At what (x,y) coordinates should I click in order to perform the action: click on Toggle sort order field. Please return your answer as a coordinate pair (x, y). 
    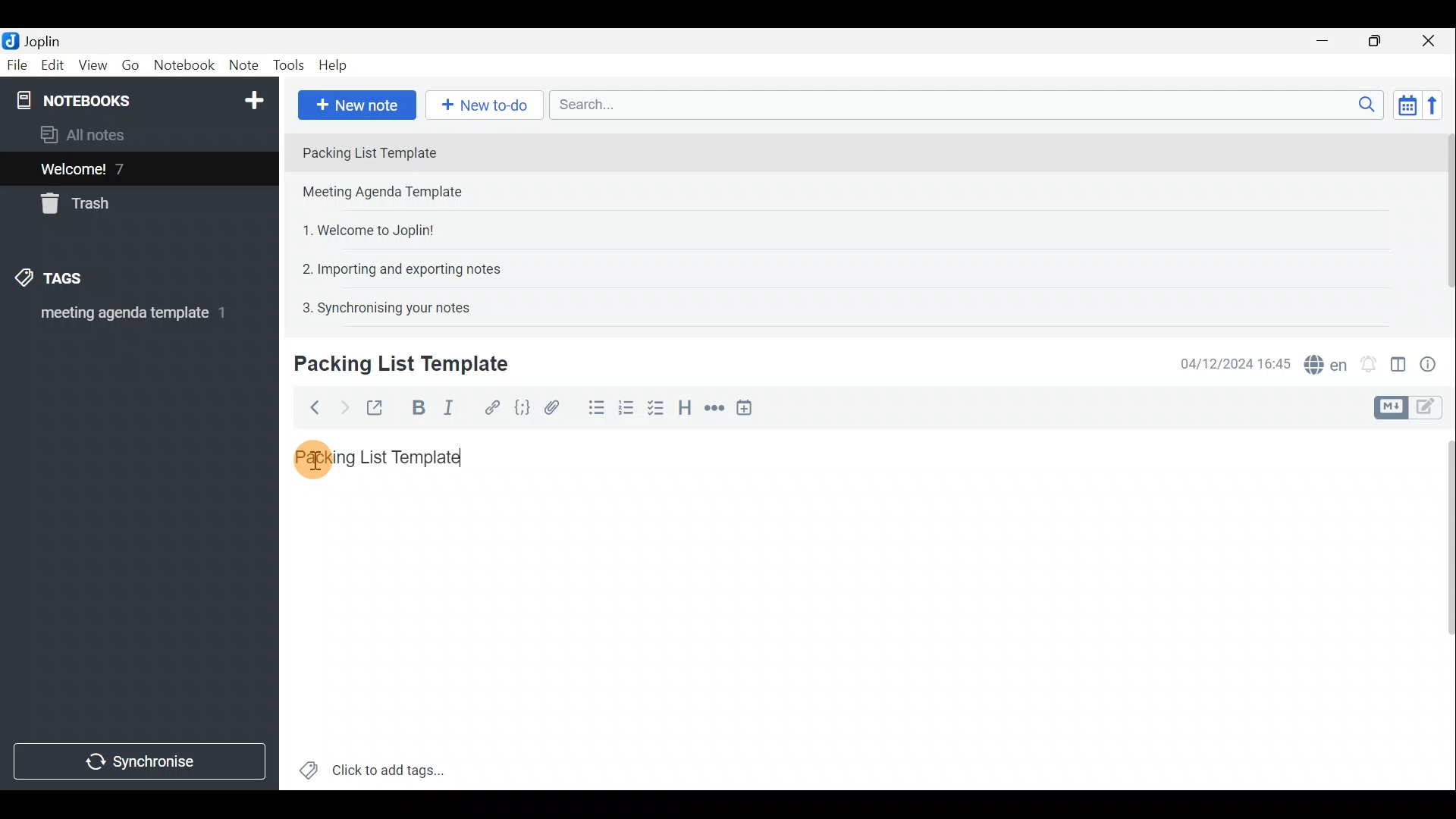
    Looking at the image, I should click on (1402, 105).